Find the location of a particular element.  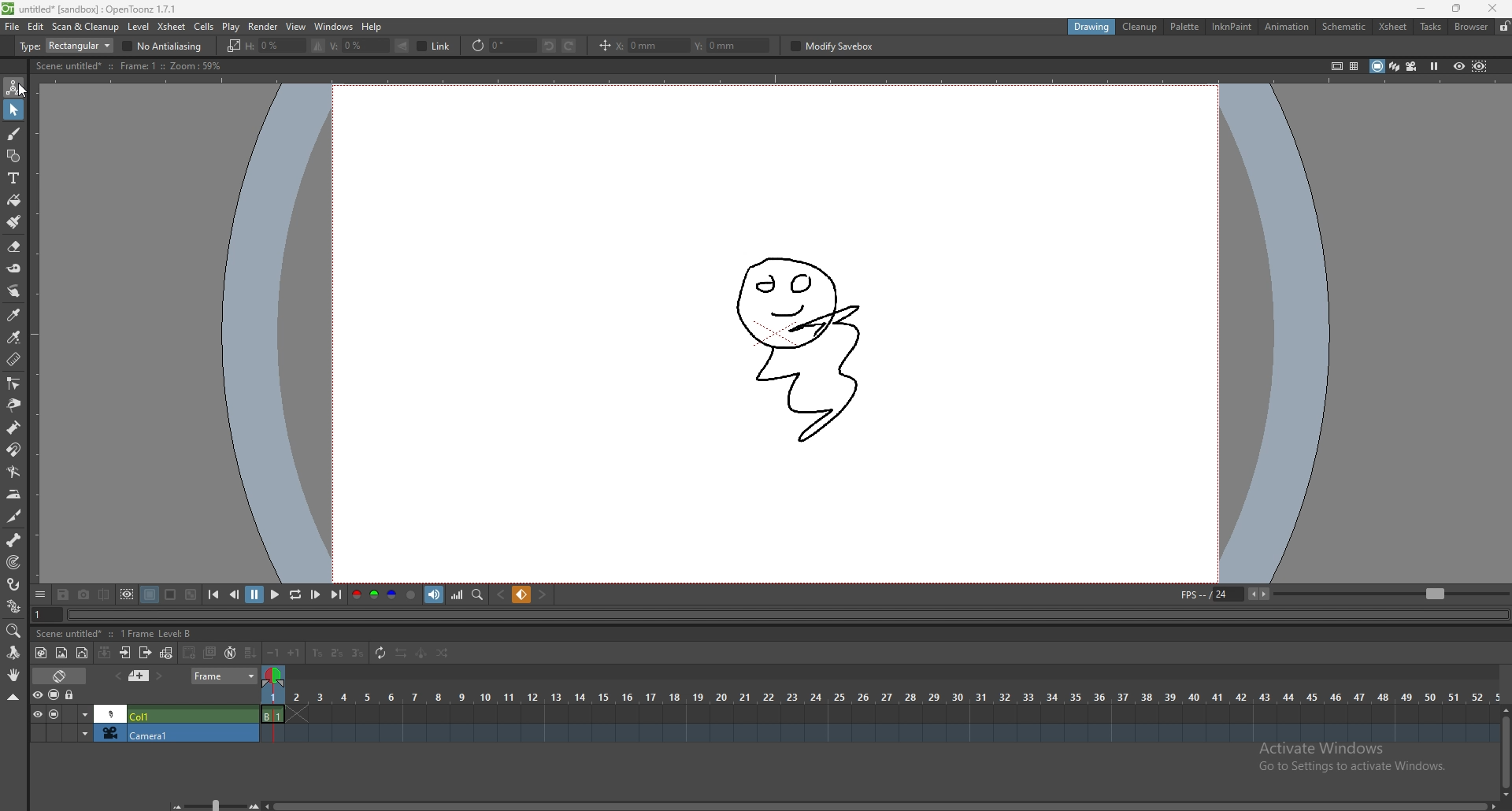

plastic is located at coordinates (14, 605).